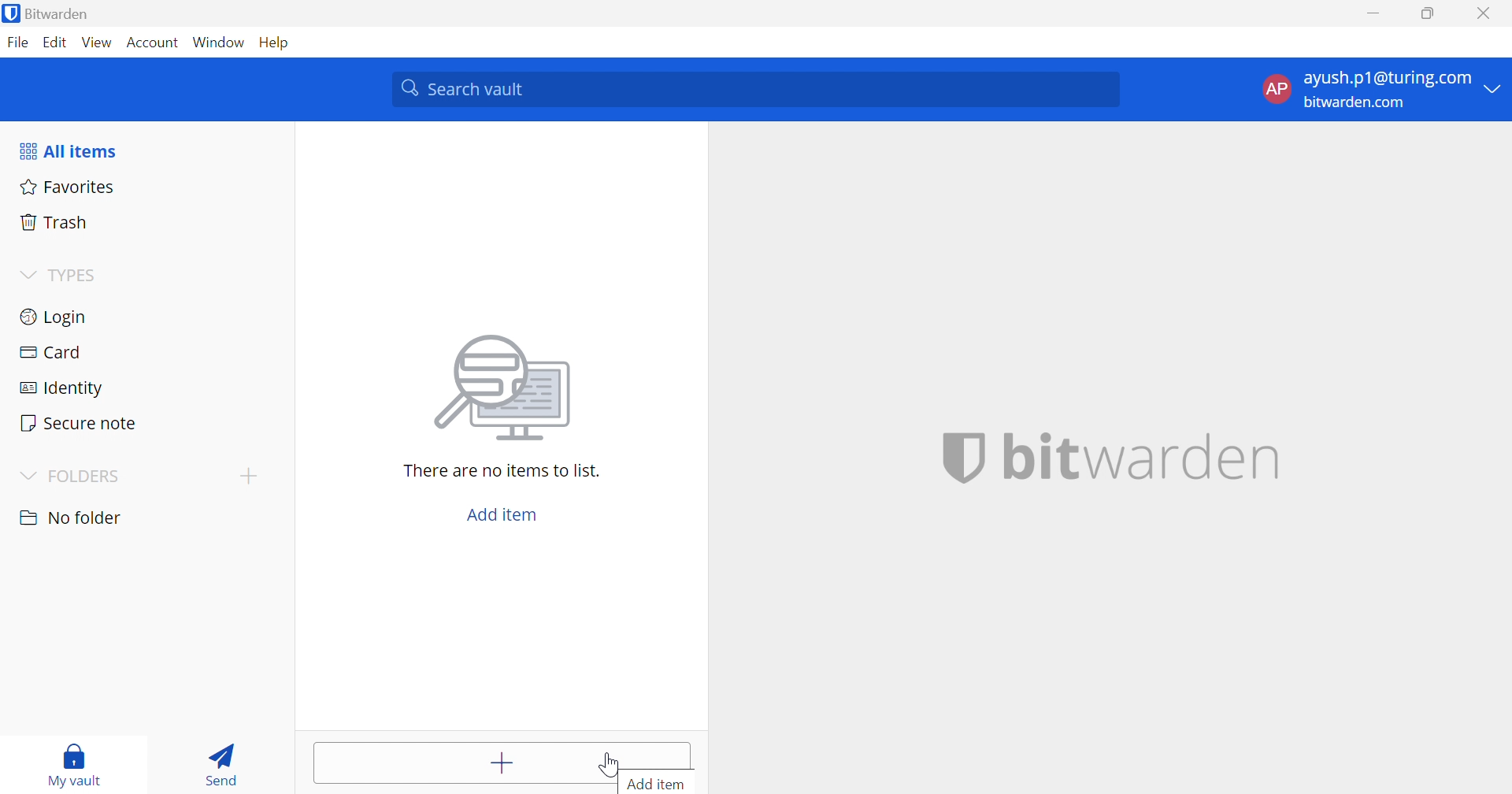  I want to click on Card, so click(53, 354).